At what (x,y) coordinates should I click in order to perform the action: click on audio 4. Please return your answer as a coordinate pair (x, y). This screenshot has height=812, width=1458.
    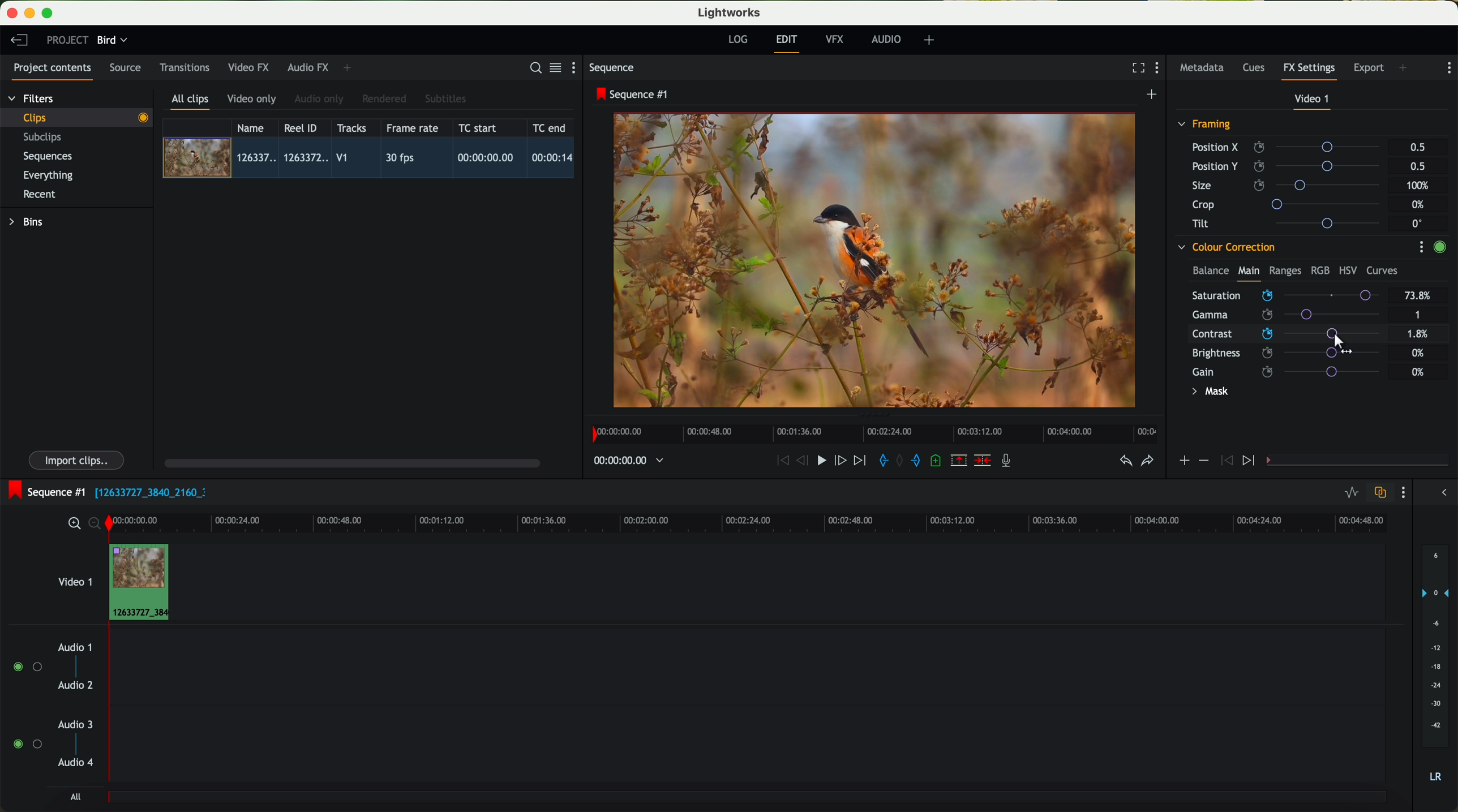
    Looking at the image, I should click on (76, 763).